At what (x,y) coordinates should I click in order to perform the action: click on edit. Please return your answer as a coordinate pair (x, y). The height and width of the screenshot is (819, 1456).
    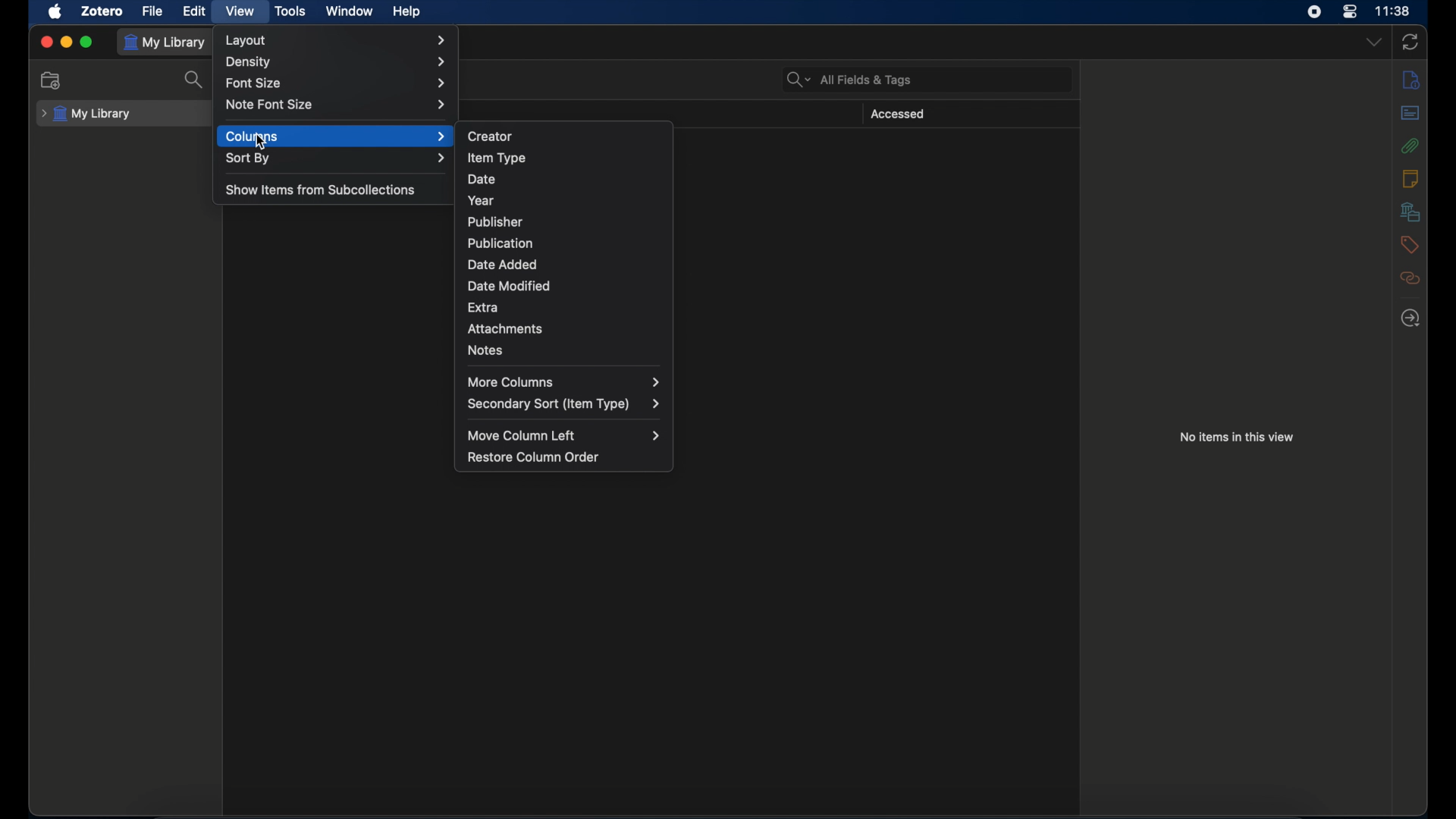
    Looking at the image, I should click on (196, 11).